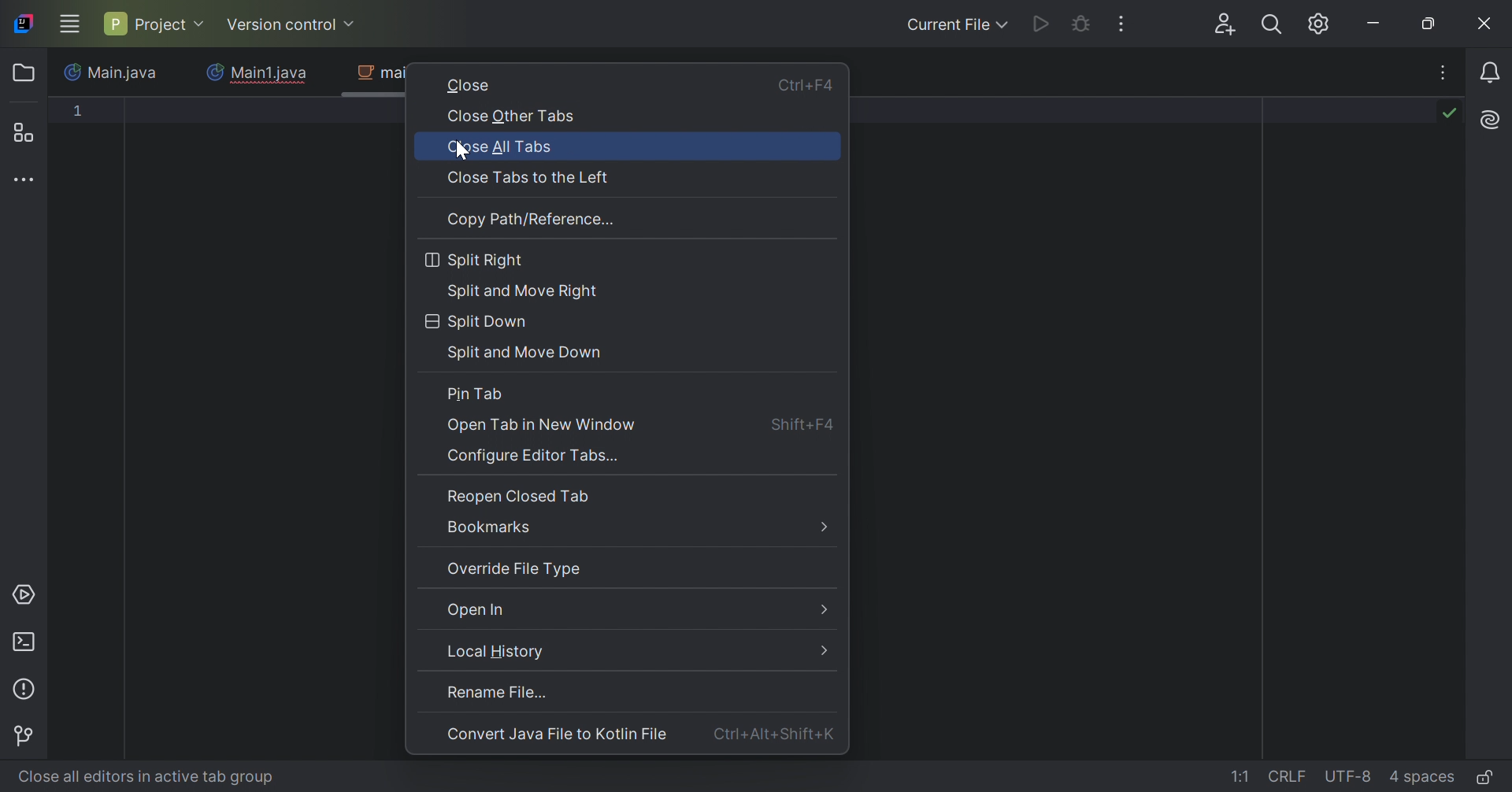 This screenshot has width=1512, height=792. Describe the element at coordinates (535, 179) in the screenshot. I see `Close tabs to the left` at that location.